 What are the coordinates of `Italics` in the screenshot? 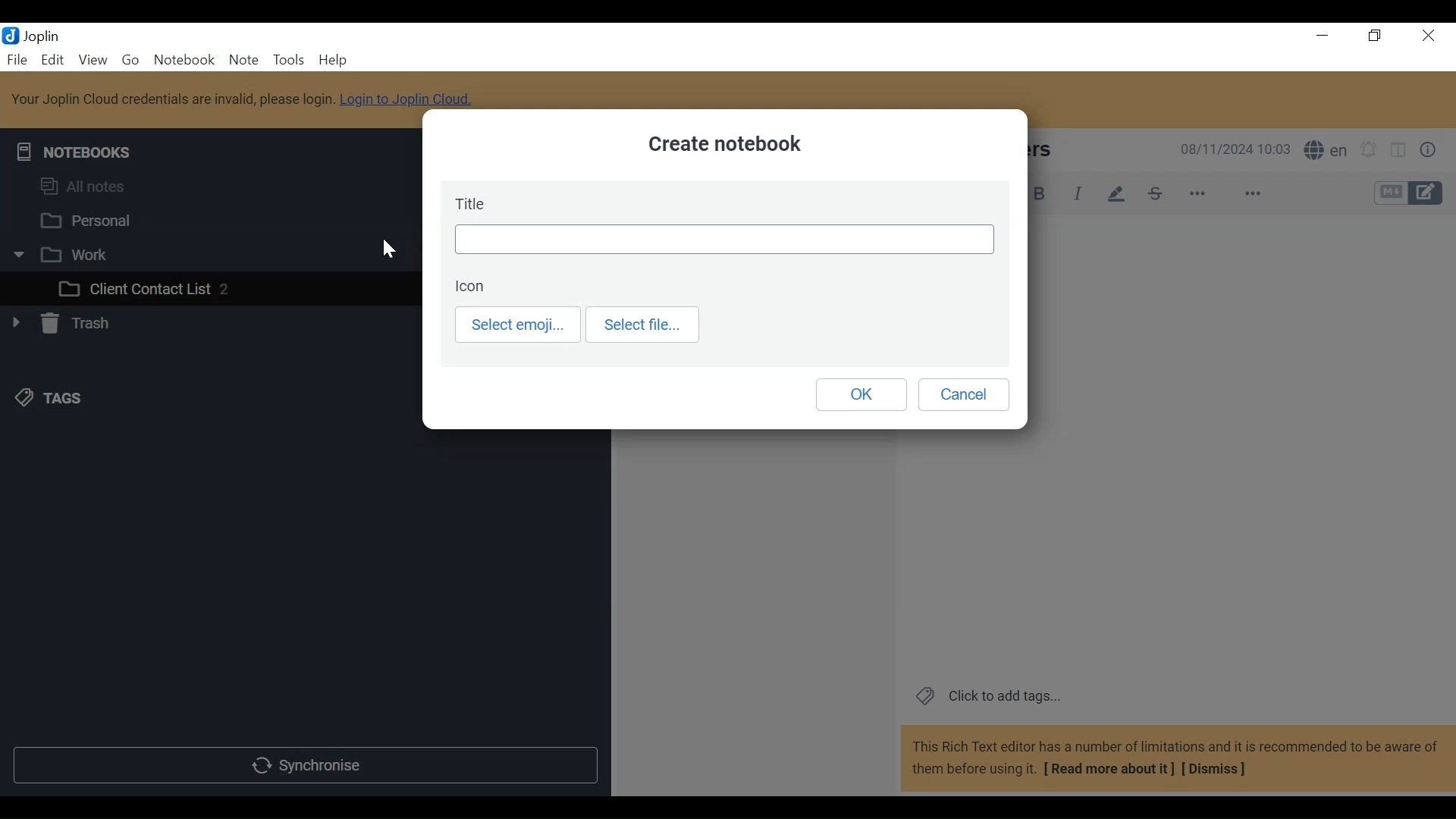 It's located at (1081, 192).